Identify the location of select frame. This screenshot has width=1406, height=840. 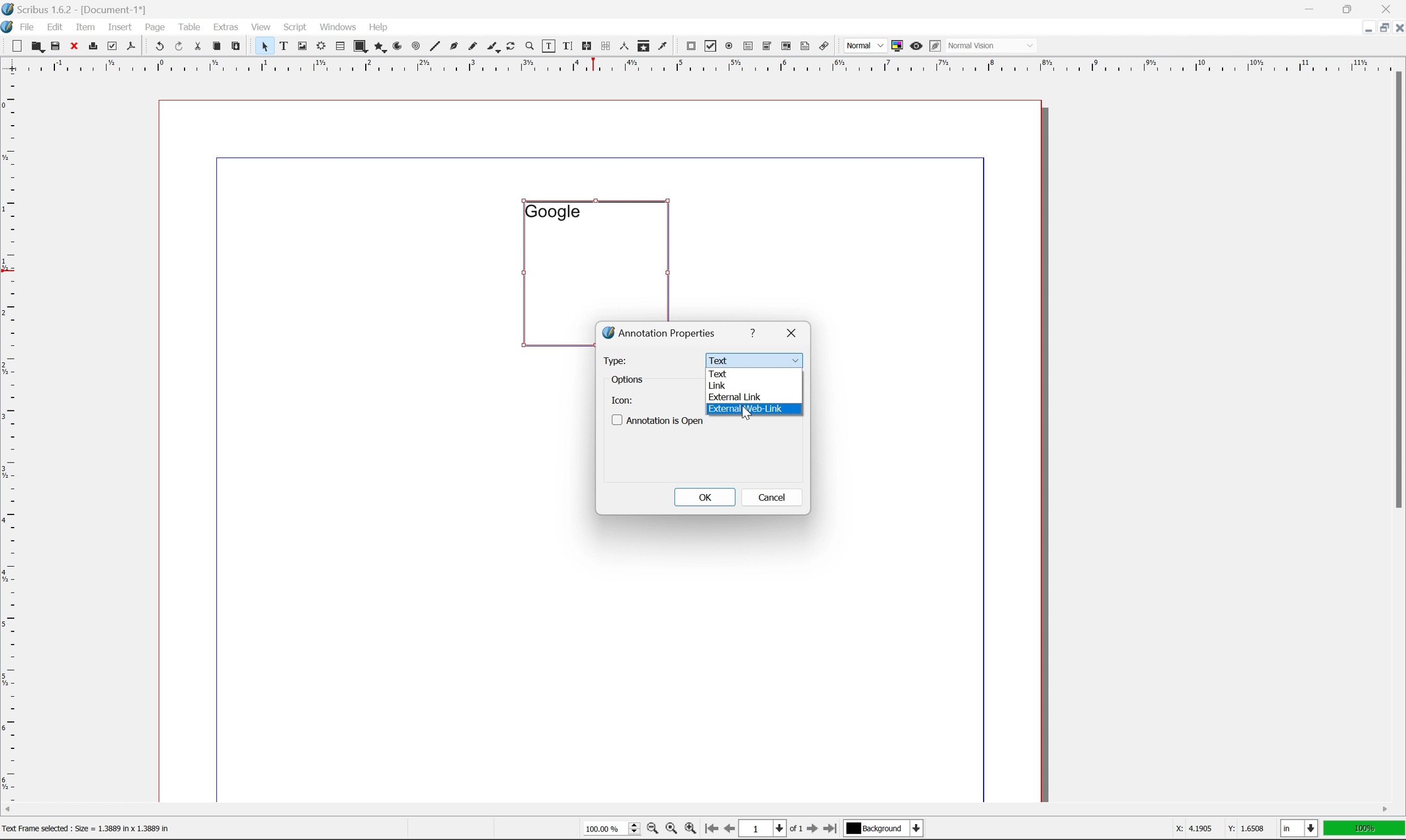
(264, 48).